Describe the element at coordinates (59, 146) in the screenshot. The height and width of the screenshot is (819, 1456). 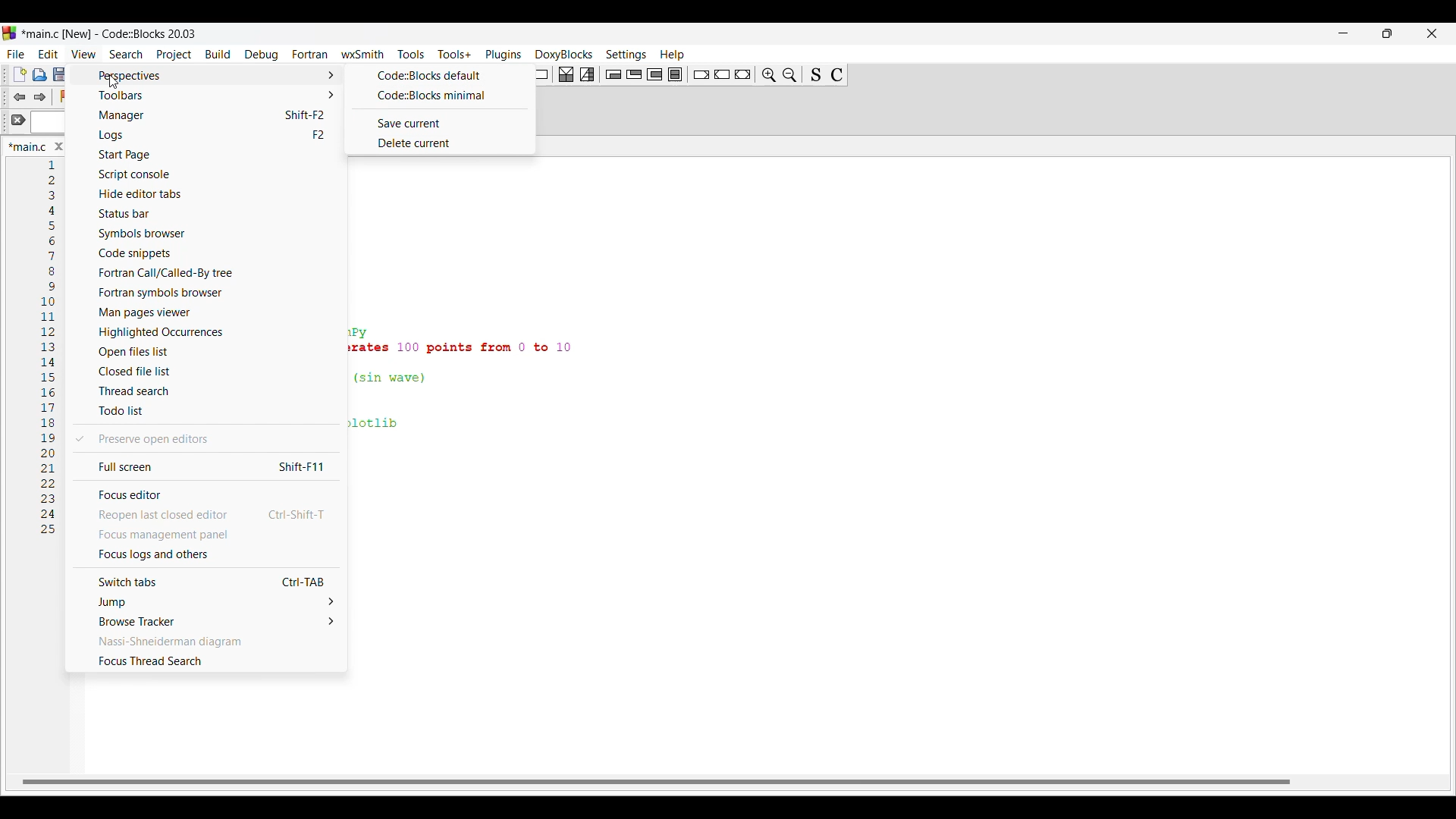
I see `Close` at that location.